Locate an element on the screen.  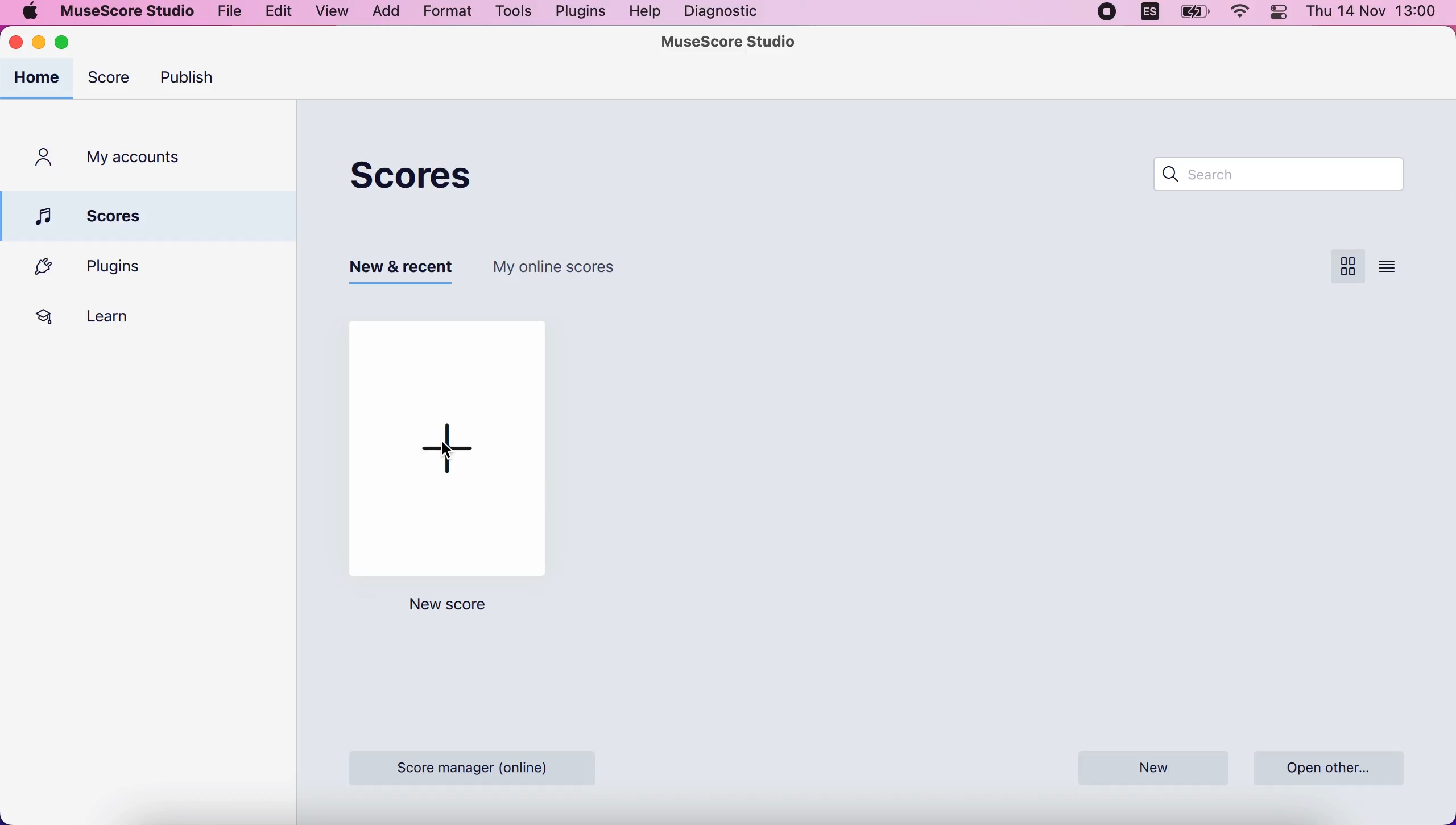
new is located at coordinates (1152, 769).